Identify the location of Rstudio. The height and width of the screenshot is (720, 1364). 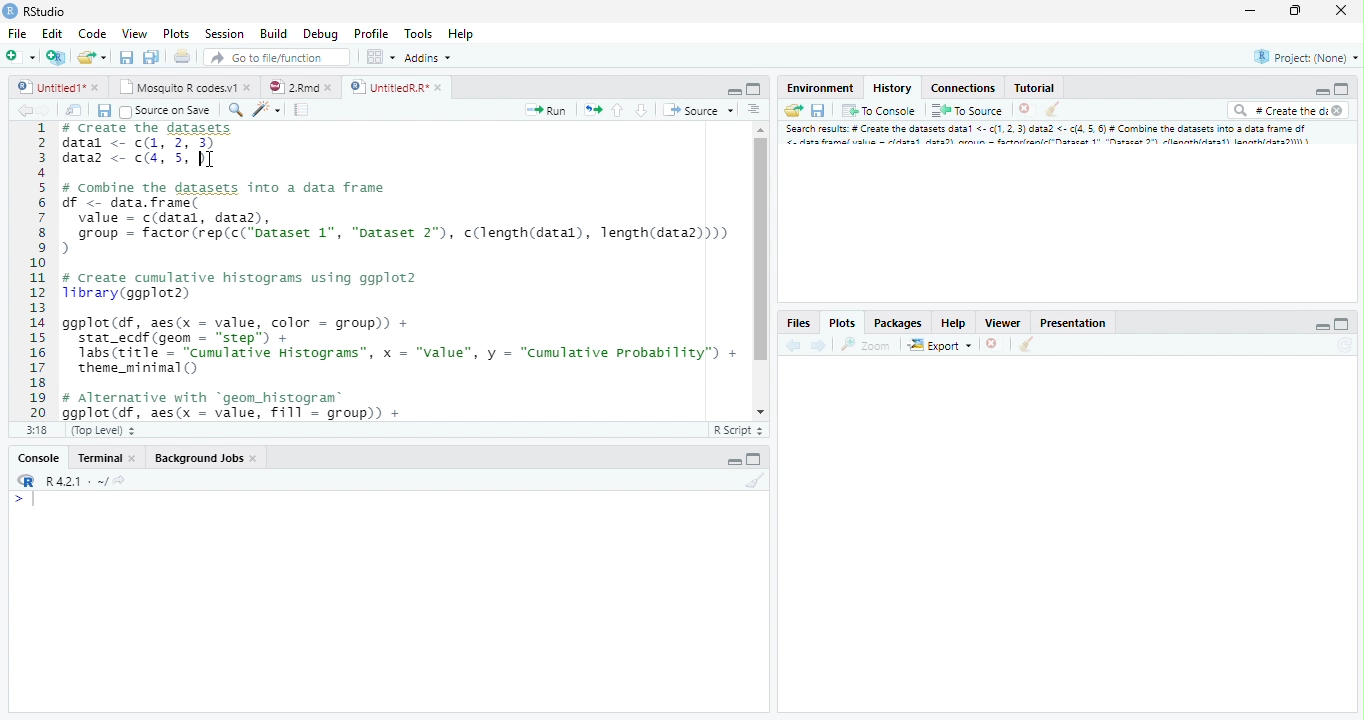
(34, 10).